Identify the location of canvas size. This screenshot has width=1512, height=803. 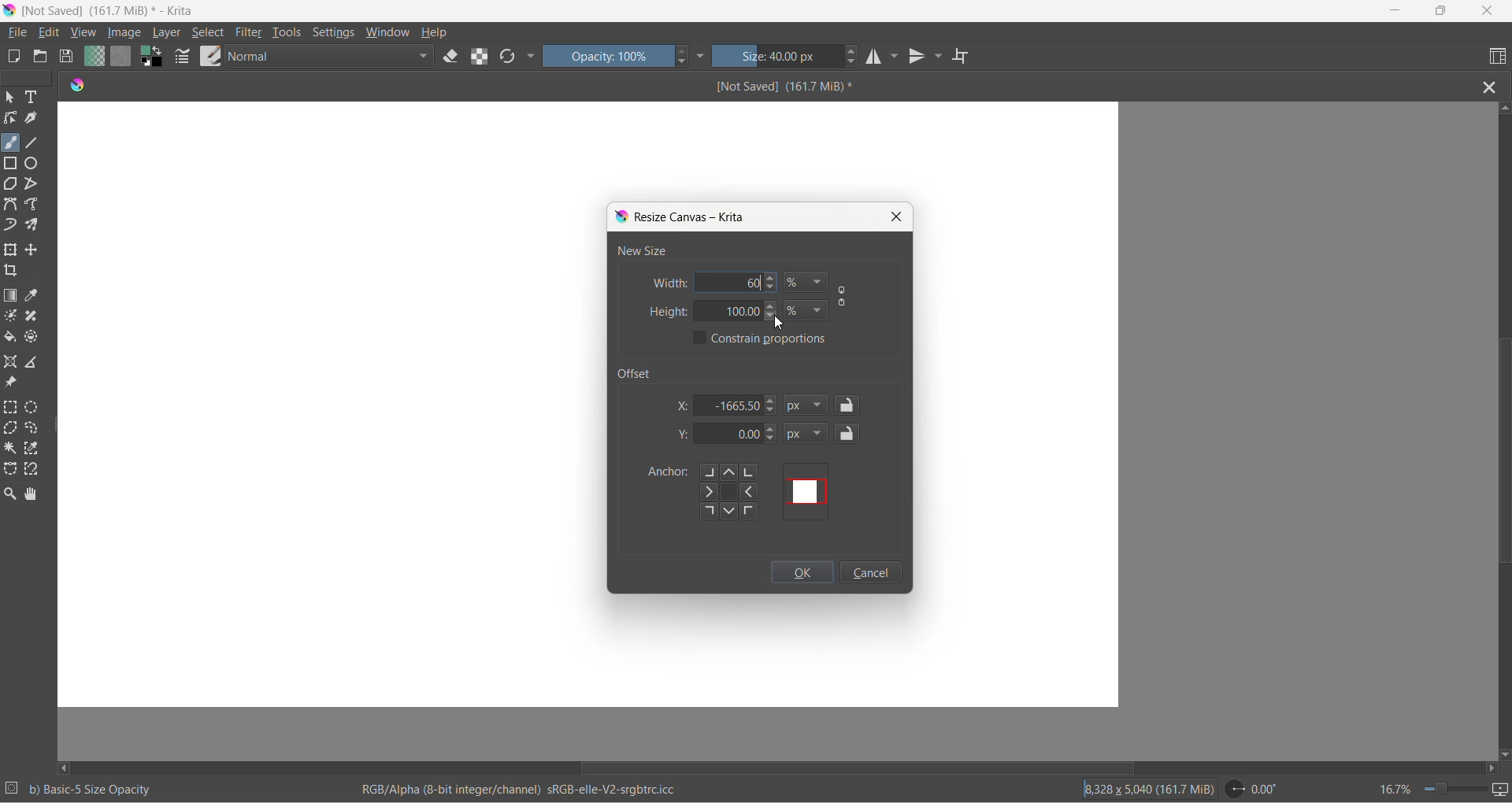
(589, 150).